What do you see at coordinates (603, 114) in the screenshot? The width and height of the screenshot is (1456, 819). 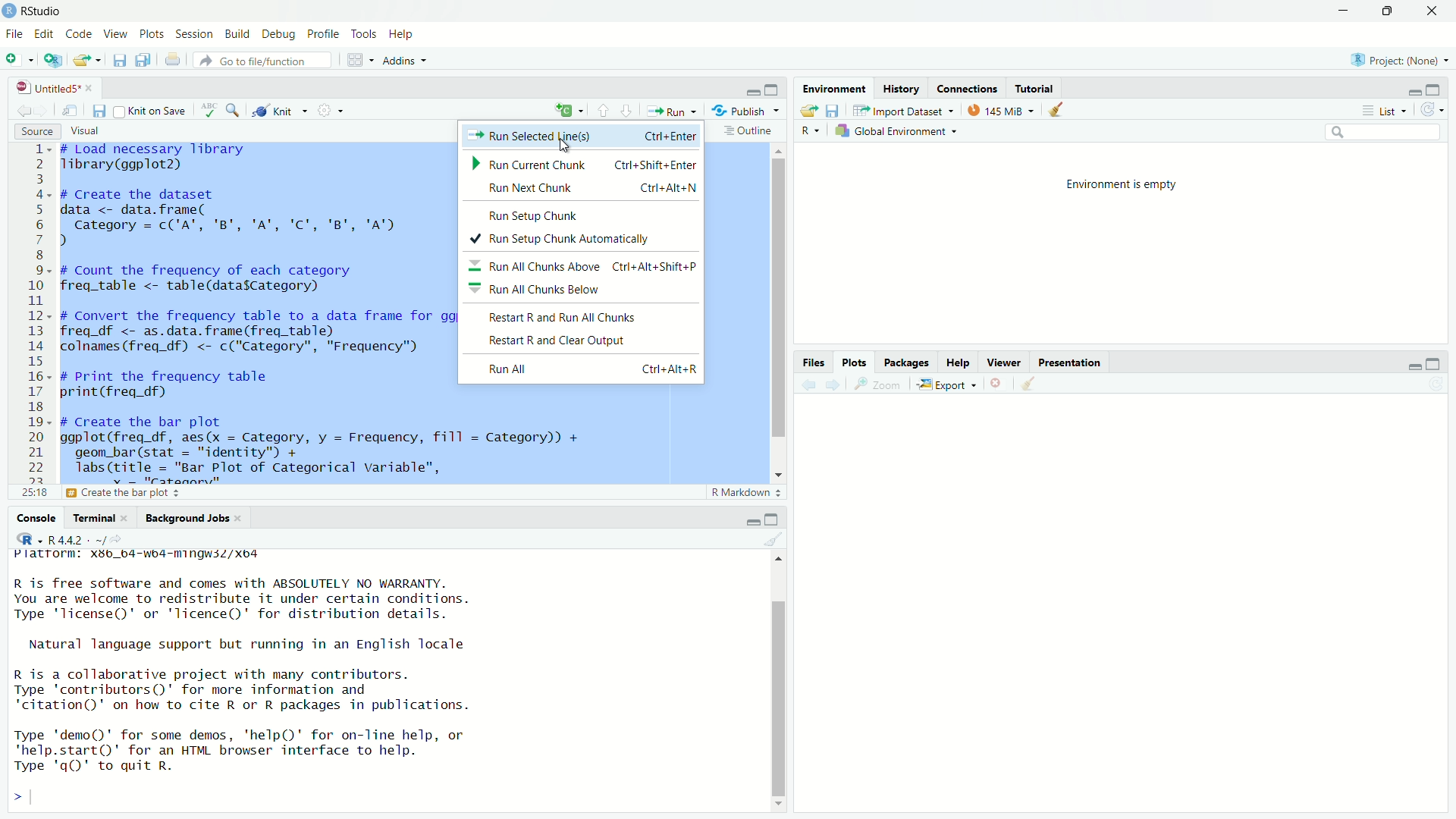 I see `previous section` at bounding box center [603, 114].